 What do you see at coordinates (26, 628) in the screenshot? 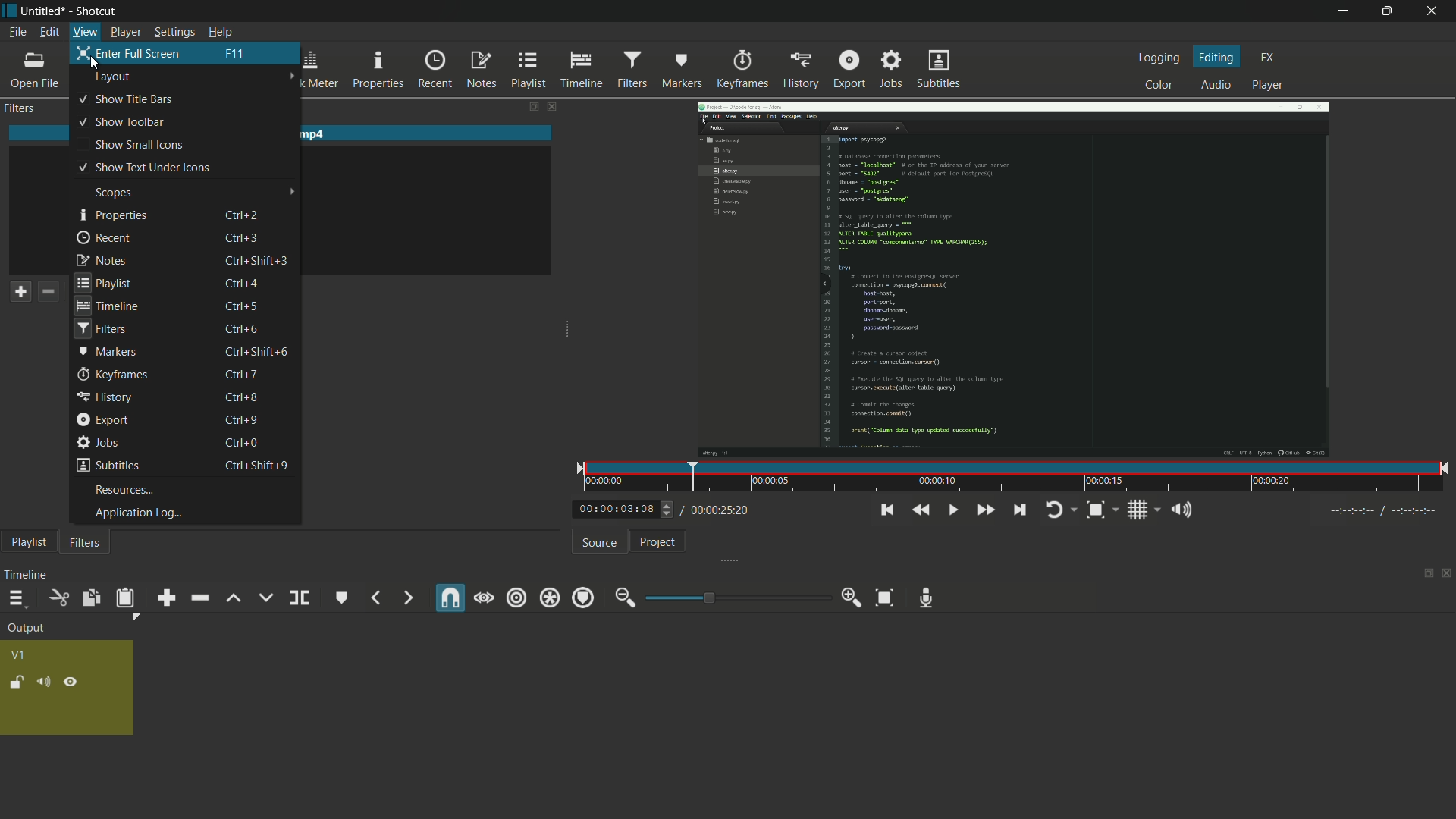
I see `output` at bounding box center [26, 628].